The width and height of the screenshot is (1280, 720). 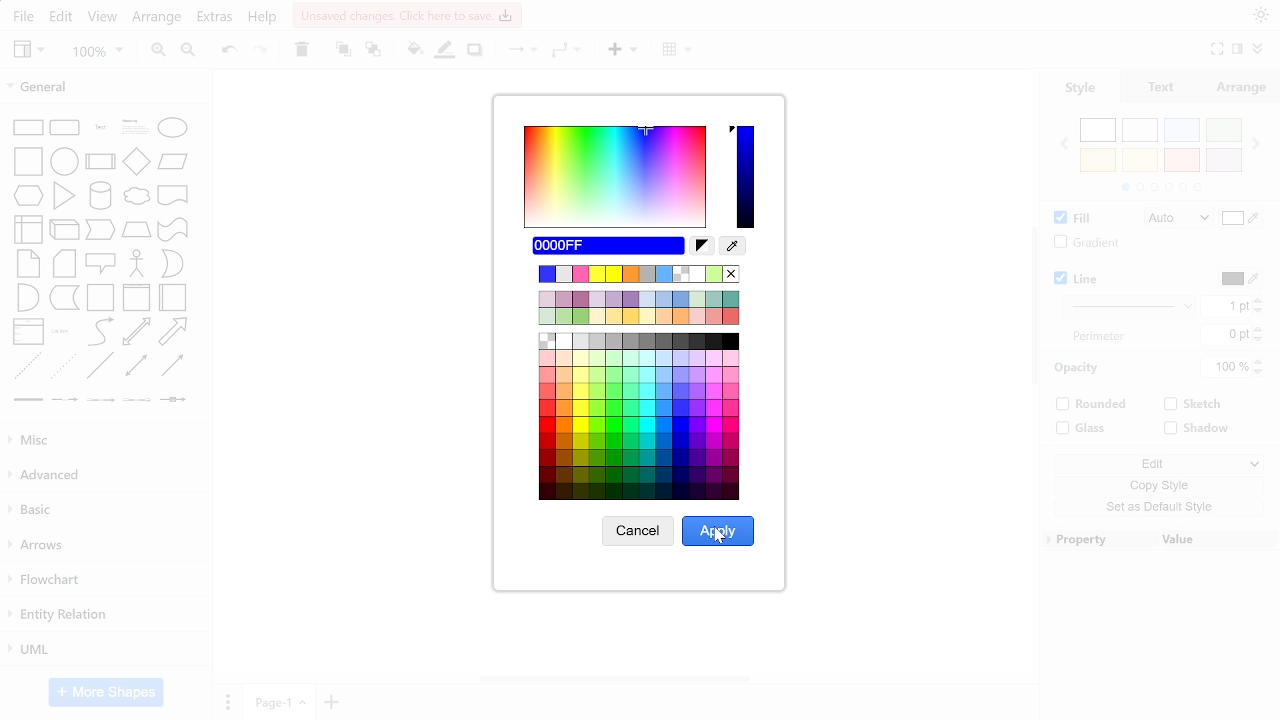 I want to click on previous, so click(x=1063, y=144).